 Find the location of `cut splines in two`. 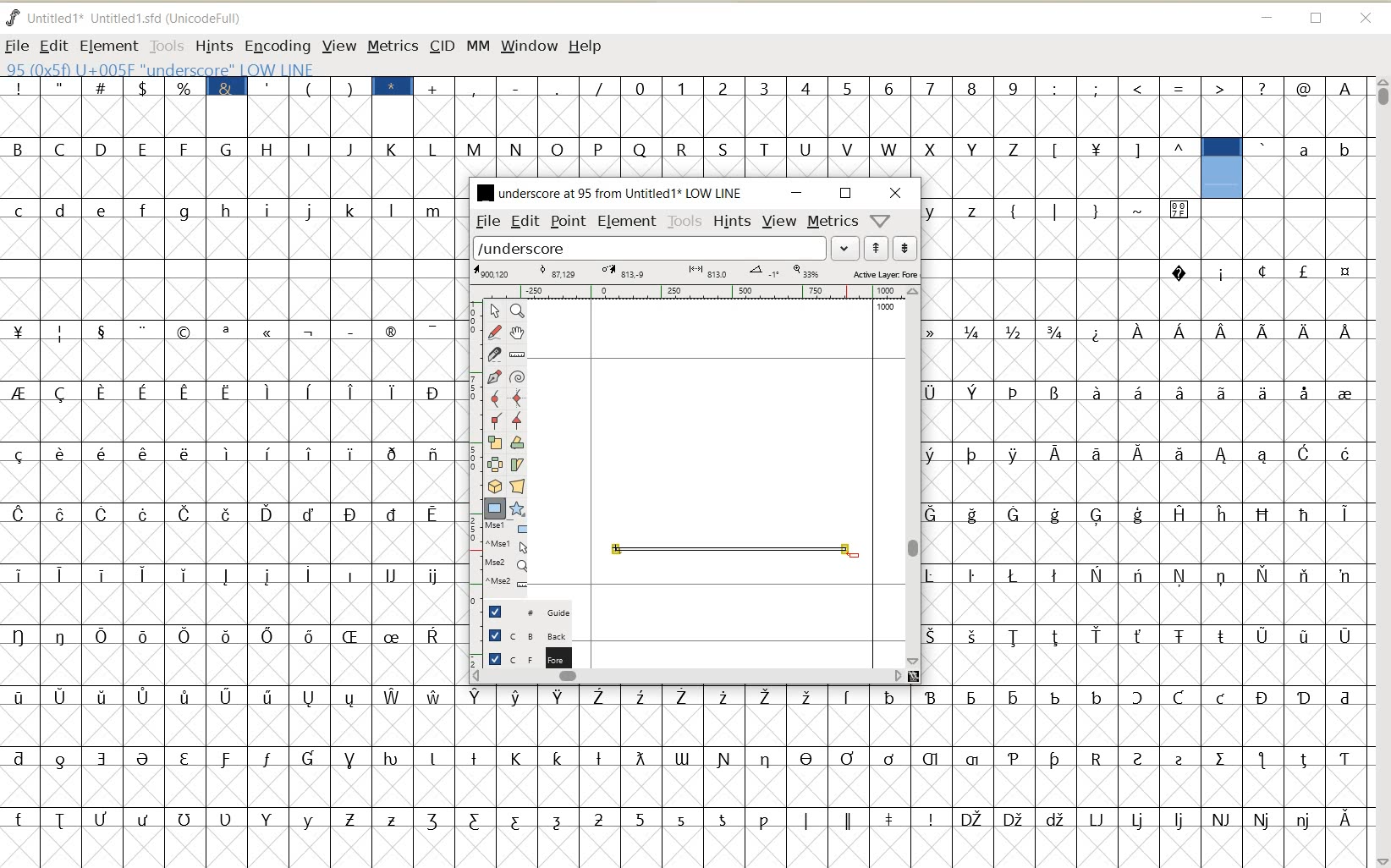

cut splines in two is located at coordinates (492, 354).